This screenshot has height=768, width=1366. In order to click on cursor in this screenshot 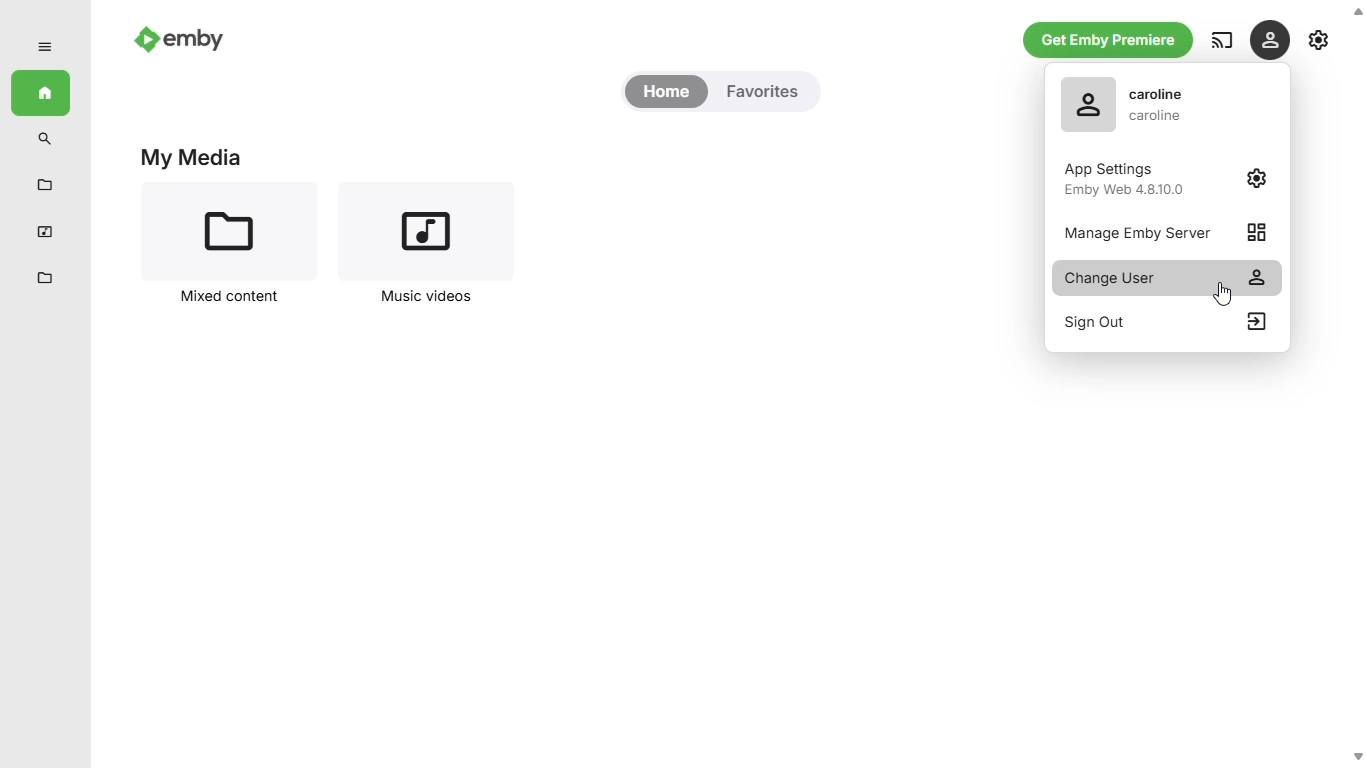, I will do `click(1223, 294)`.